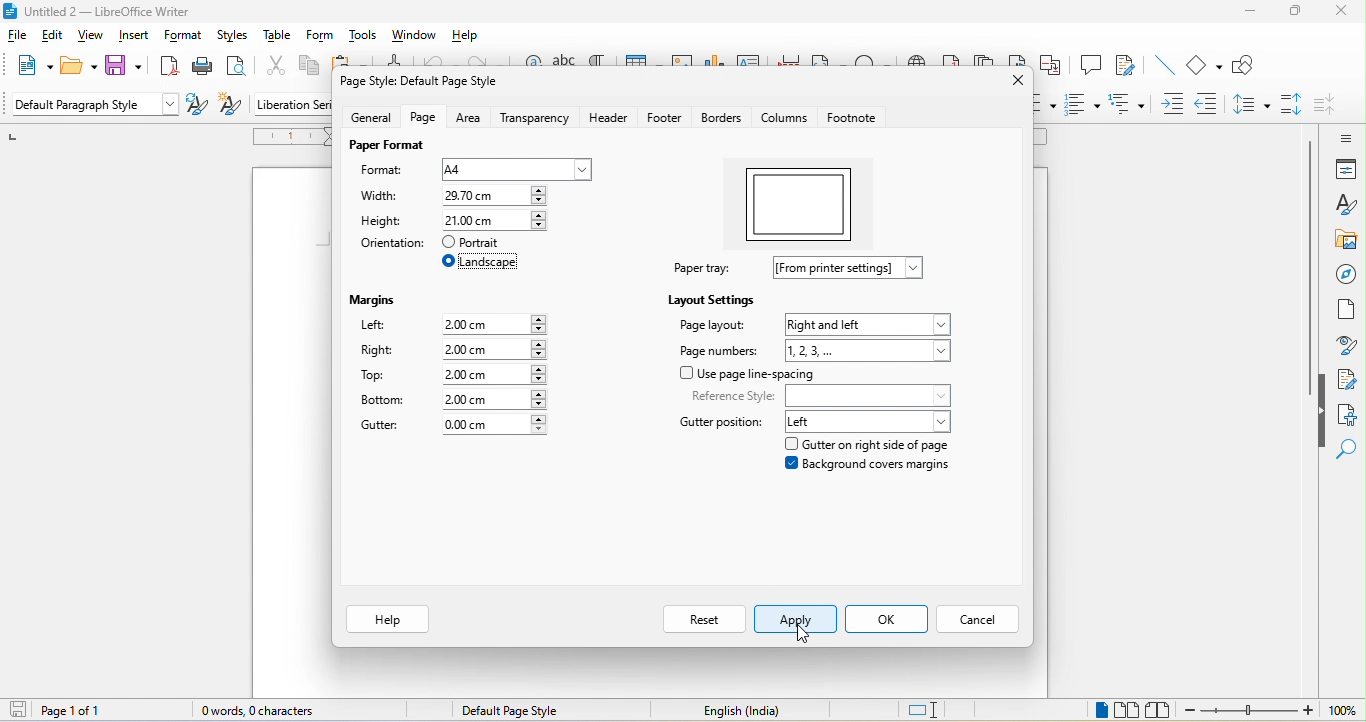  I want to click on open, so click(82, 64).